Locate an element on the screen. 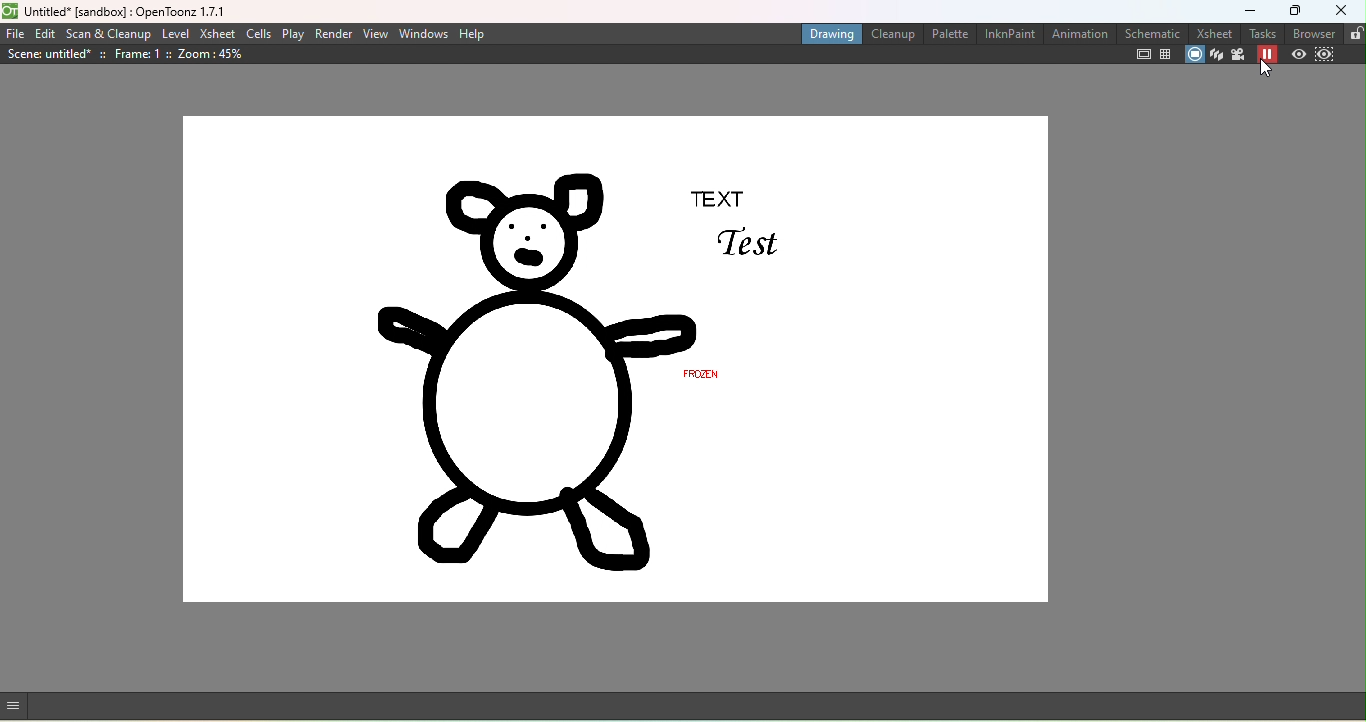 This screenshot has width=1366, height=722. Help is located at coordinates (471, 34).